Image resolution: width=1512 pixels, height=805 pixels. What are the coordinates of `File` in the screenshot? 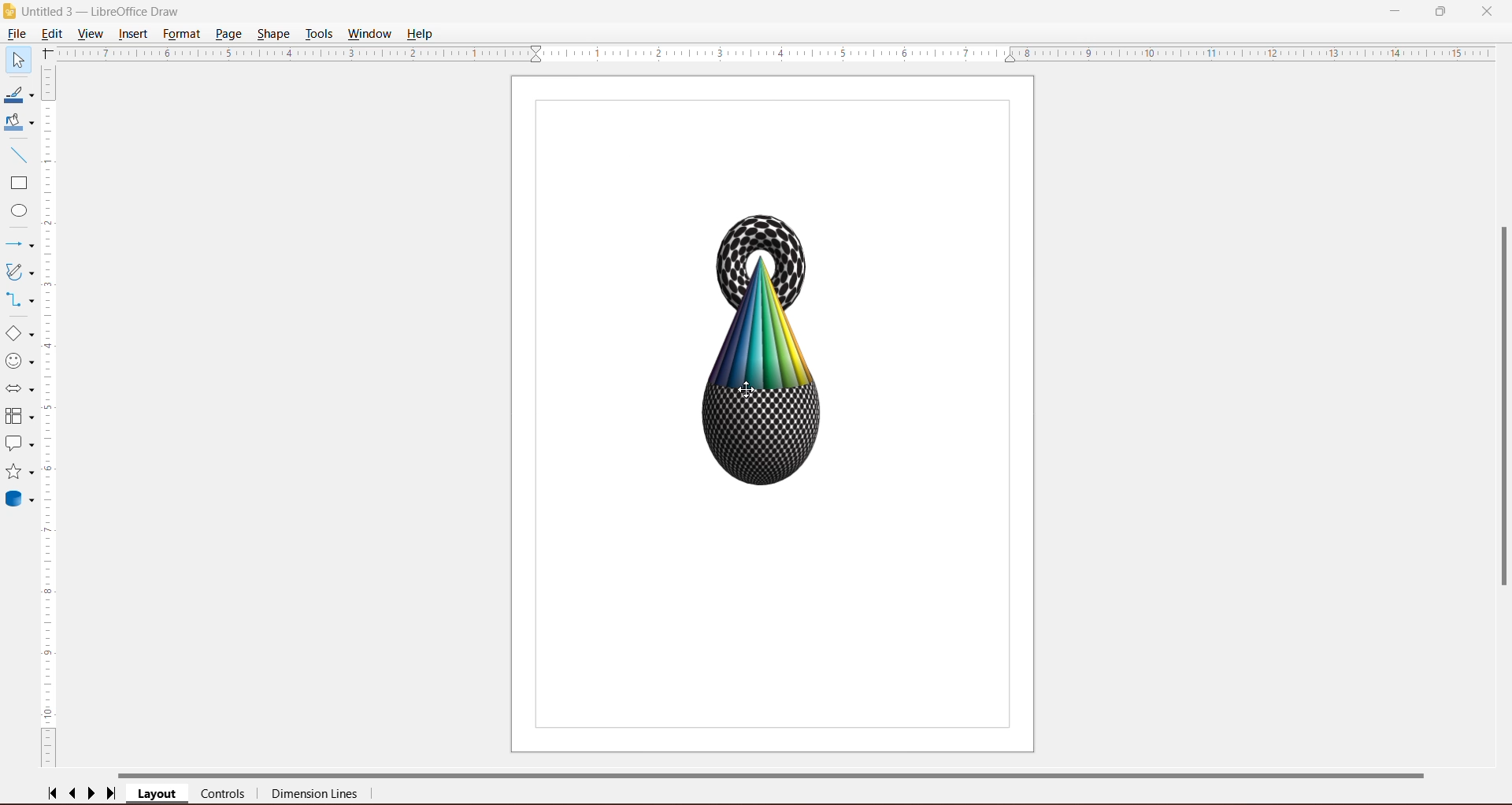 It's located at (18, 34).